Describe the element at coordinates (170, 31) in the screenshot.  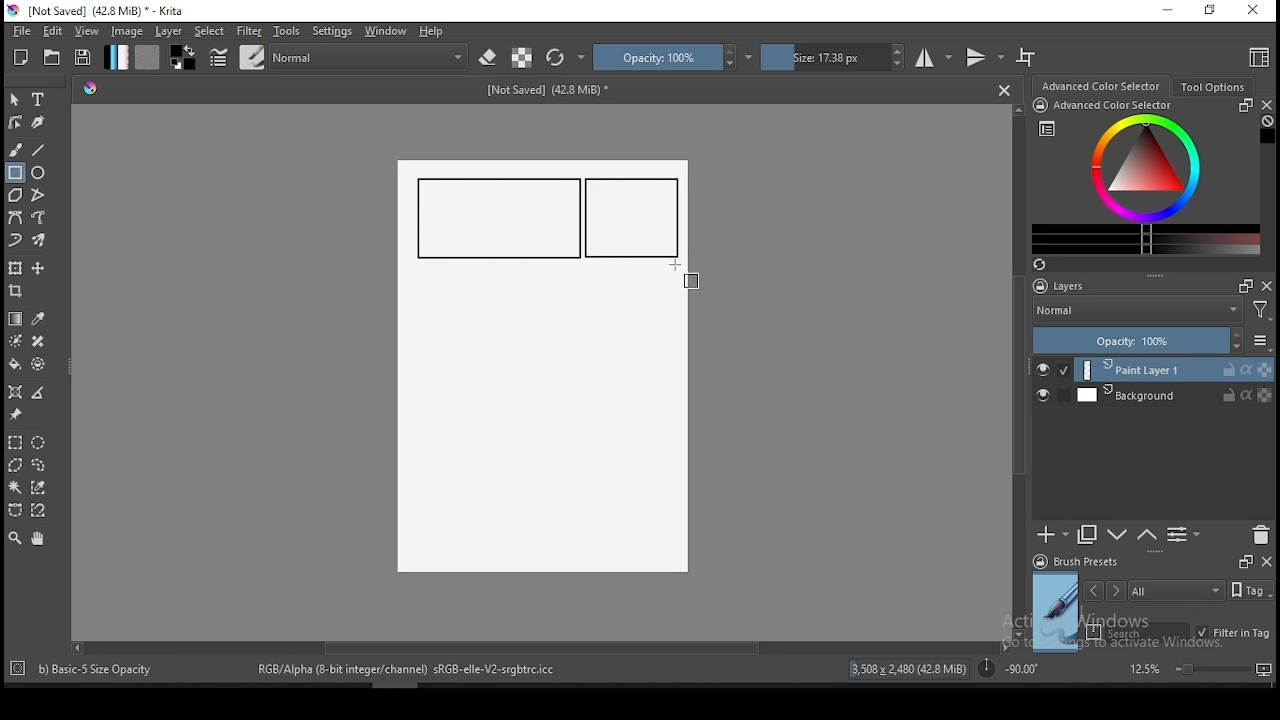
I see `layer` at that location.